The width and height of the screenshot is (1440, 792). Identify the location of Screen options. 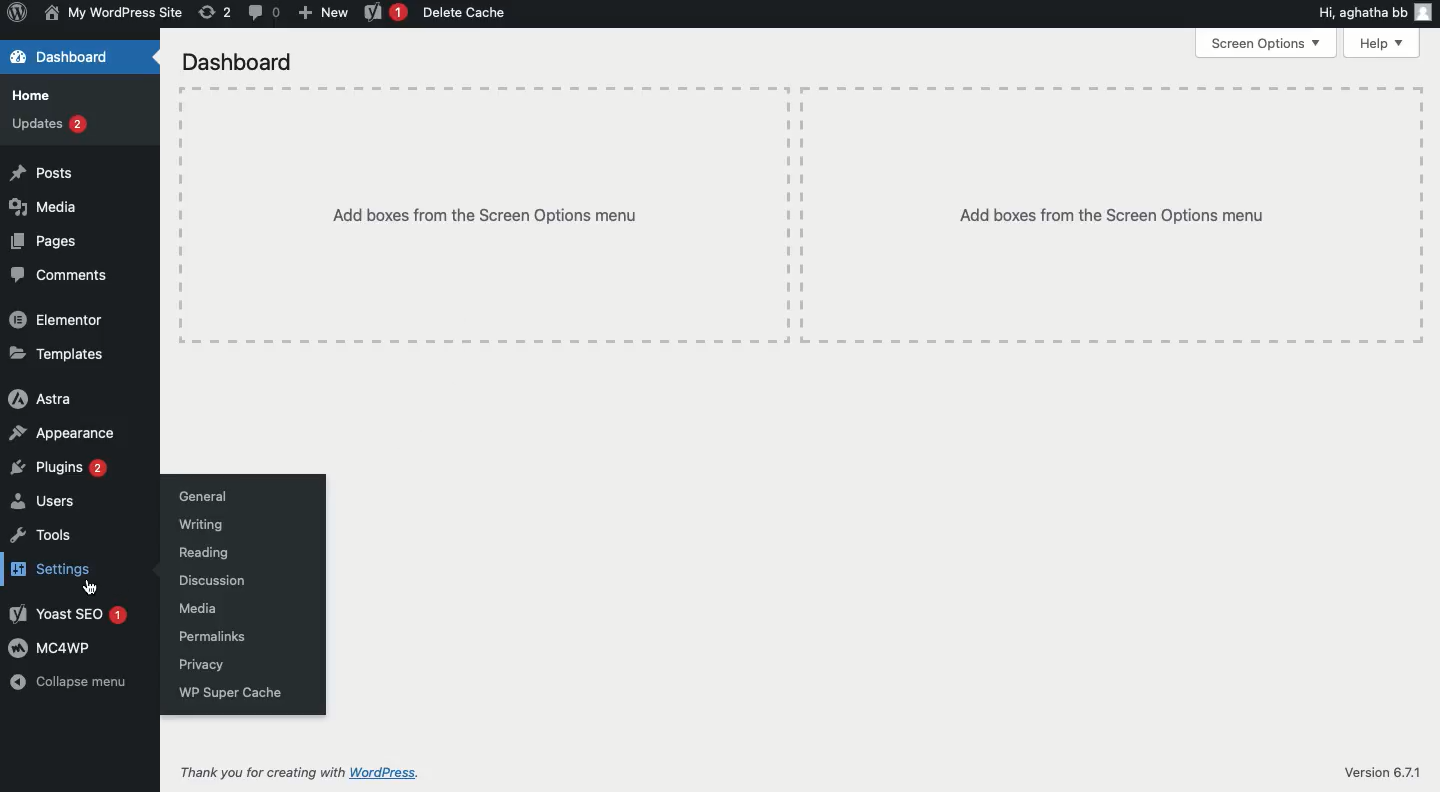
(1264, 45).